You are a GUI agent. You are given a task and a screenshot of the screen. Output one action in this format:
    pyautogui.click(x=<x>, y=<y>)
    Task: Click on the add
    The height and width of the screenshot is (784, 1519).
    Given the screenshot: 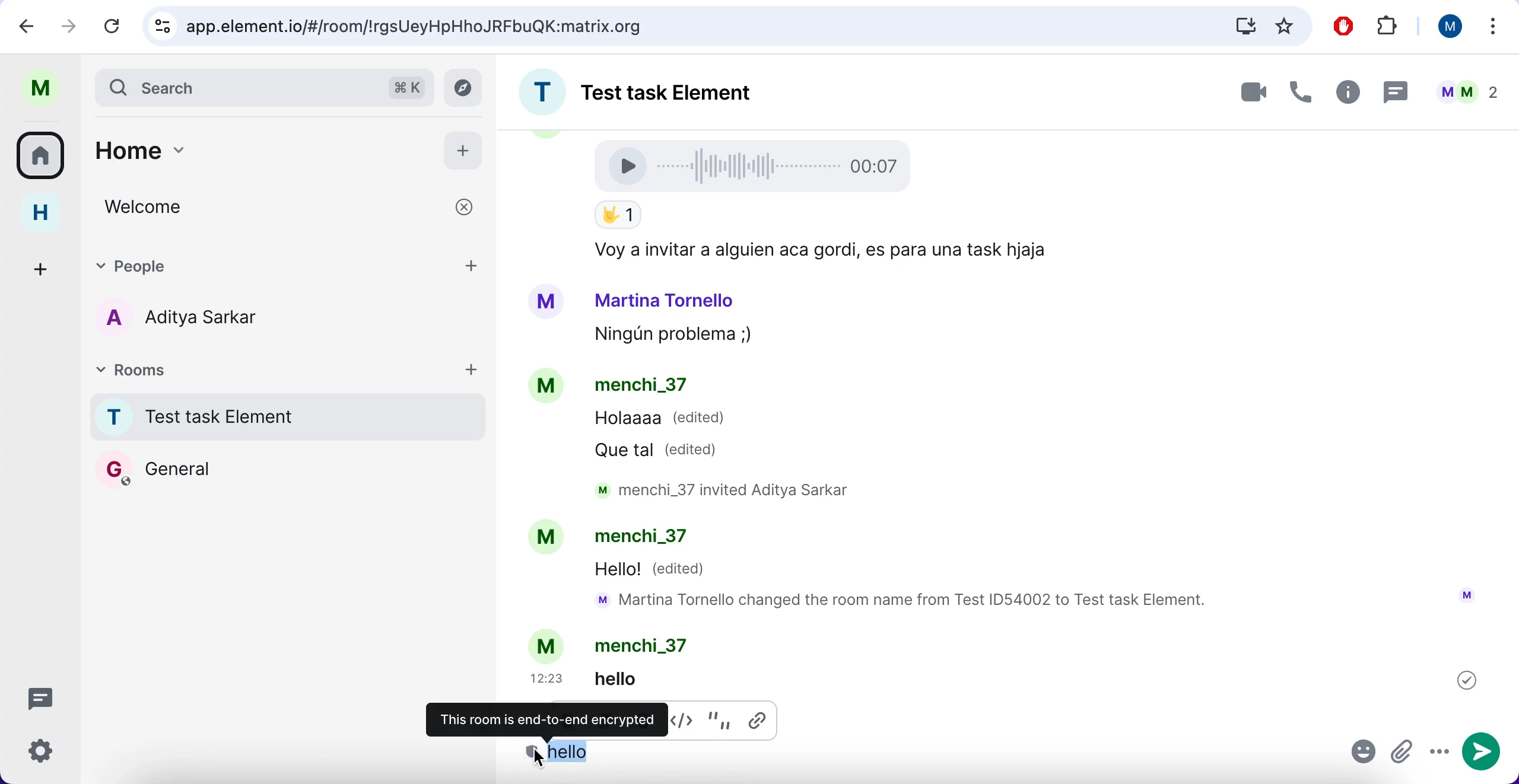 What is the action you would take?
    pyautogui.click(x=463, y=148)
    